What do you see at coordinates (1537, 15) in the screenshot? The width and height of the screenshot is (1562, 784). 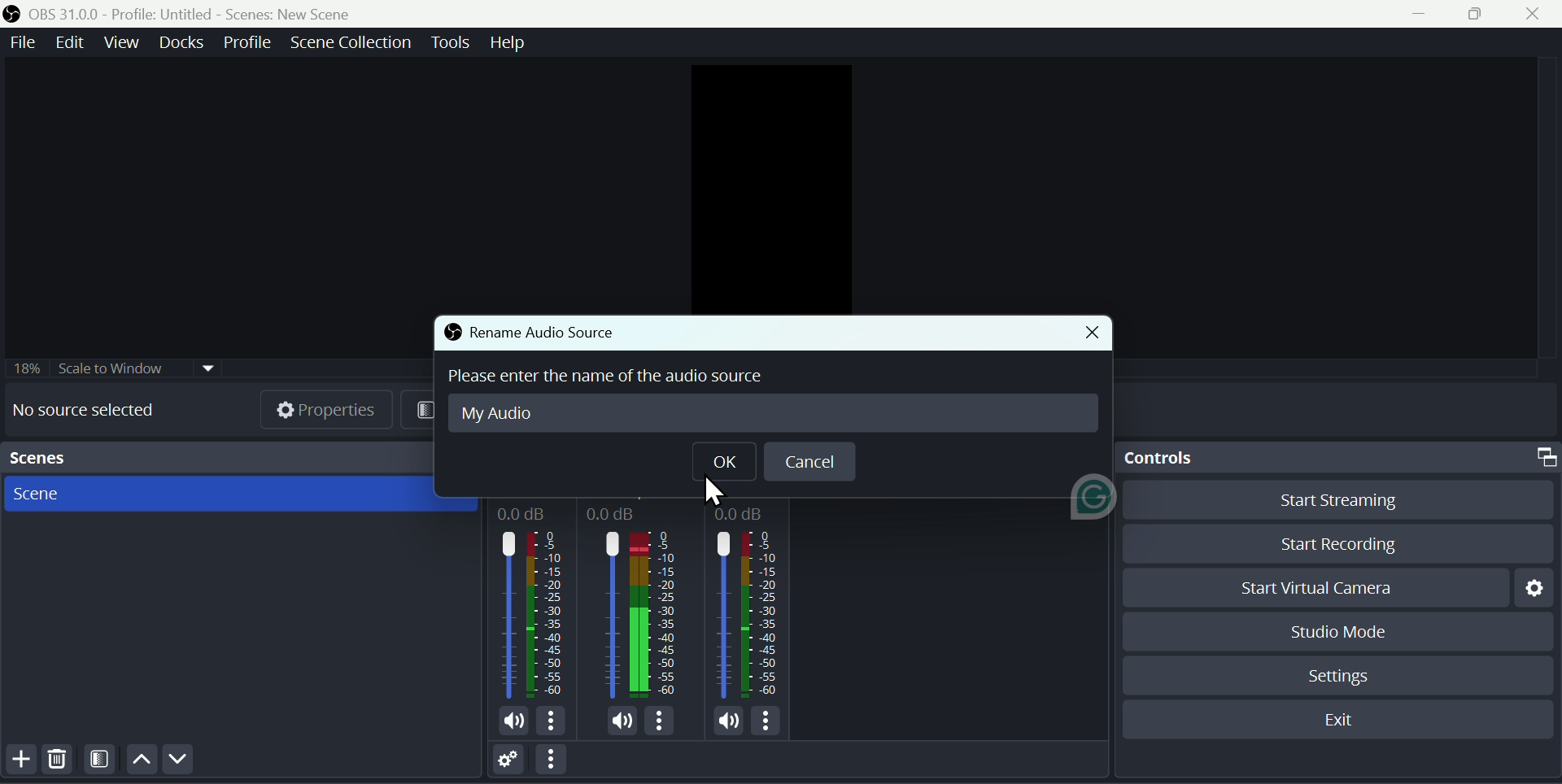 I see `Close` at bounding box center [1537, 15].